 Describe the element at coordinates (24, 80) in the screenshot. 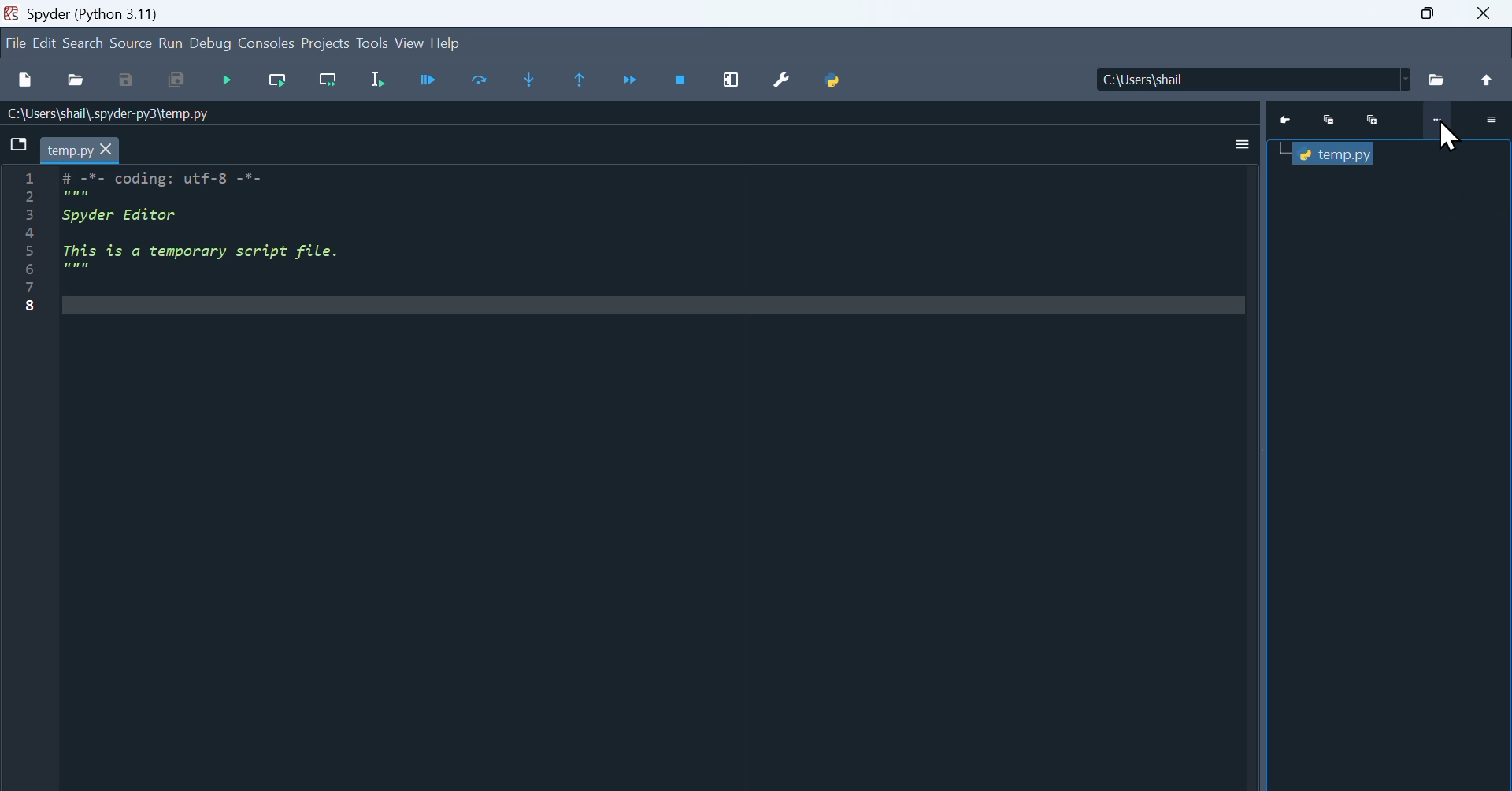

I see `New files` at that location.